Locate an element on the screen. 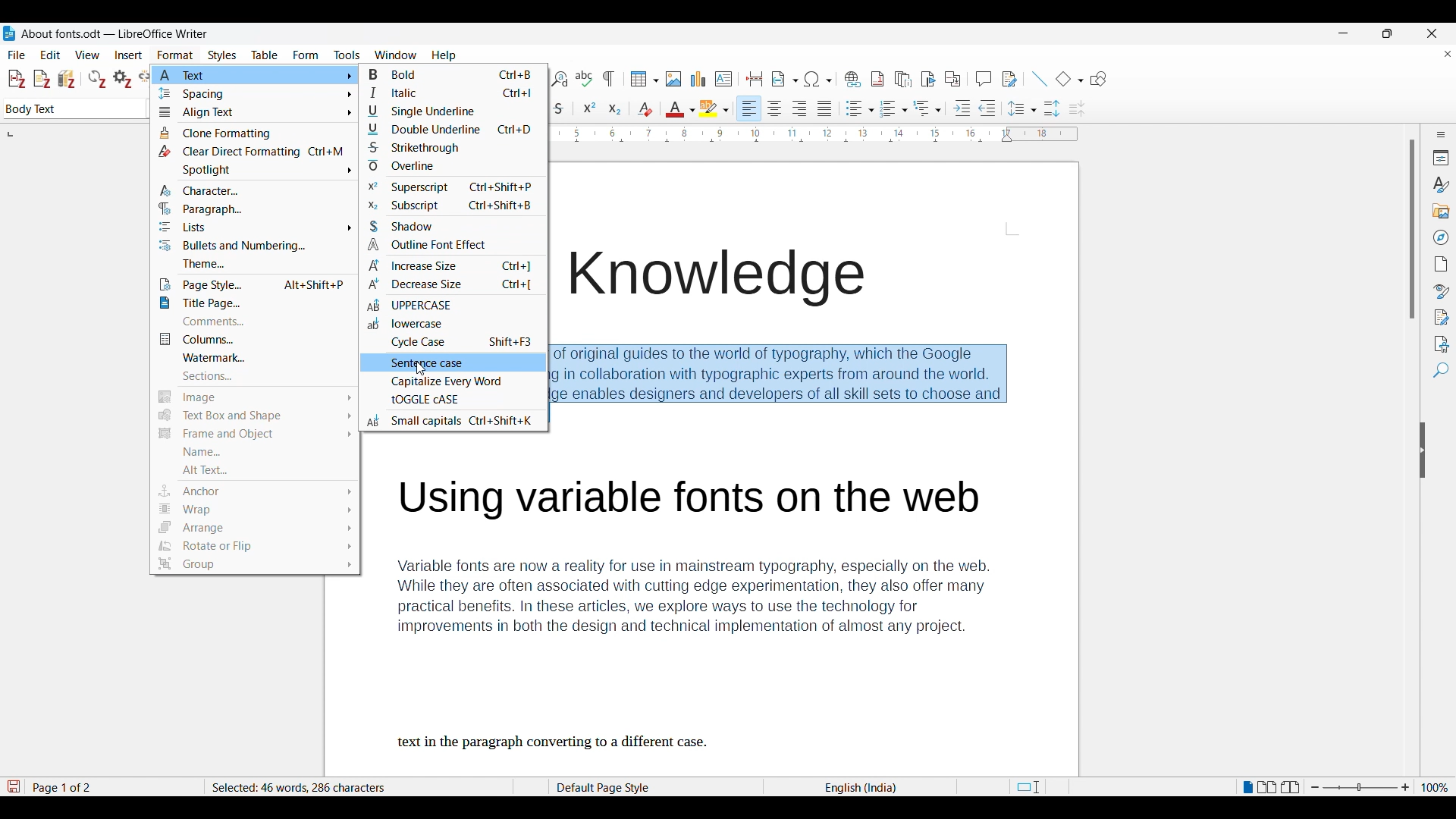 Image resolution: width=1456 pixels, height=819 pixels. Spell check is located at coordinates (584, 78).